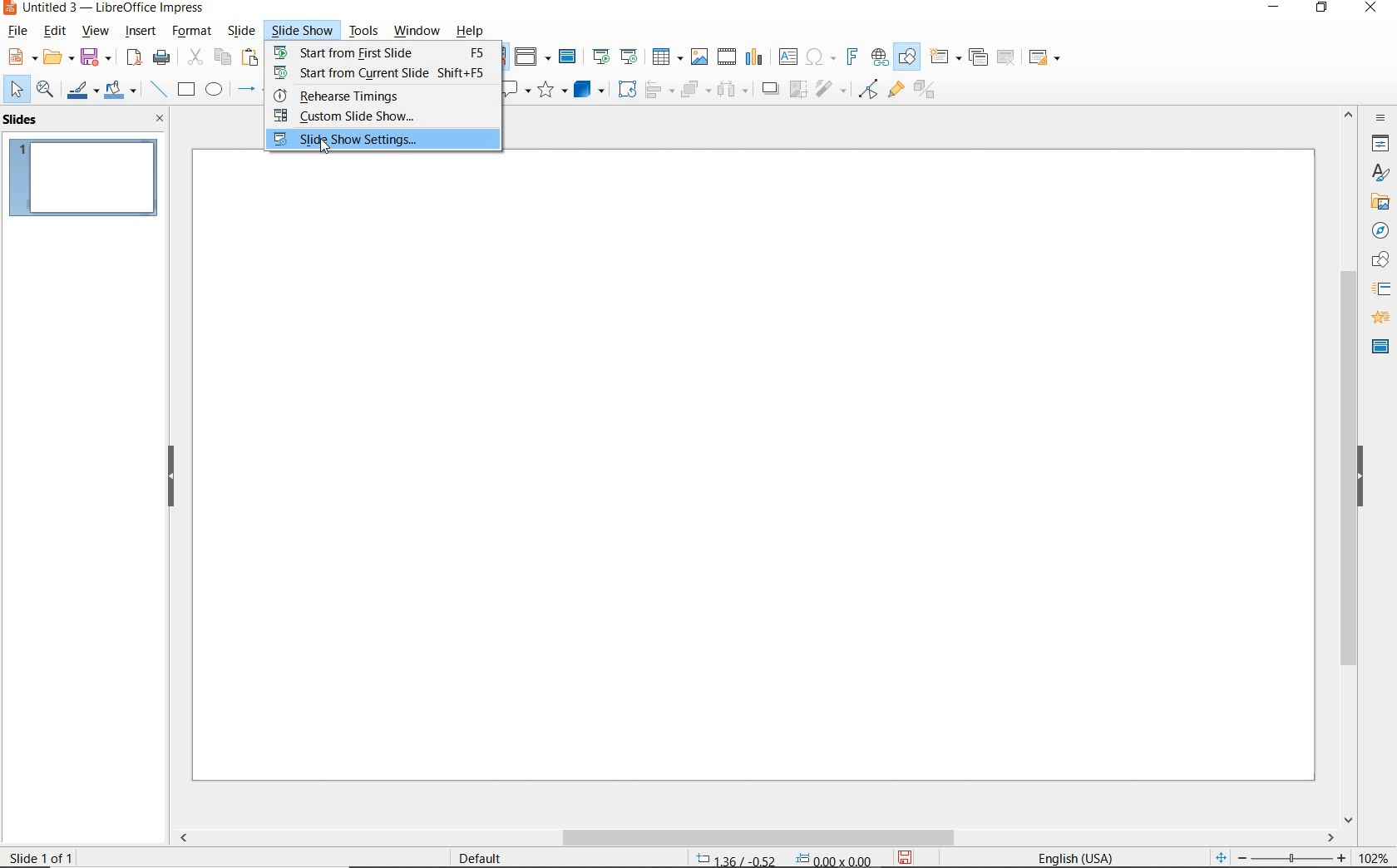  What do you see at coordinates (896, 90) in the screenshot?
I see `SHOW GLUEPOINT FUNCTIONS` at bounding box center [896, 90].